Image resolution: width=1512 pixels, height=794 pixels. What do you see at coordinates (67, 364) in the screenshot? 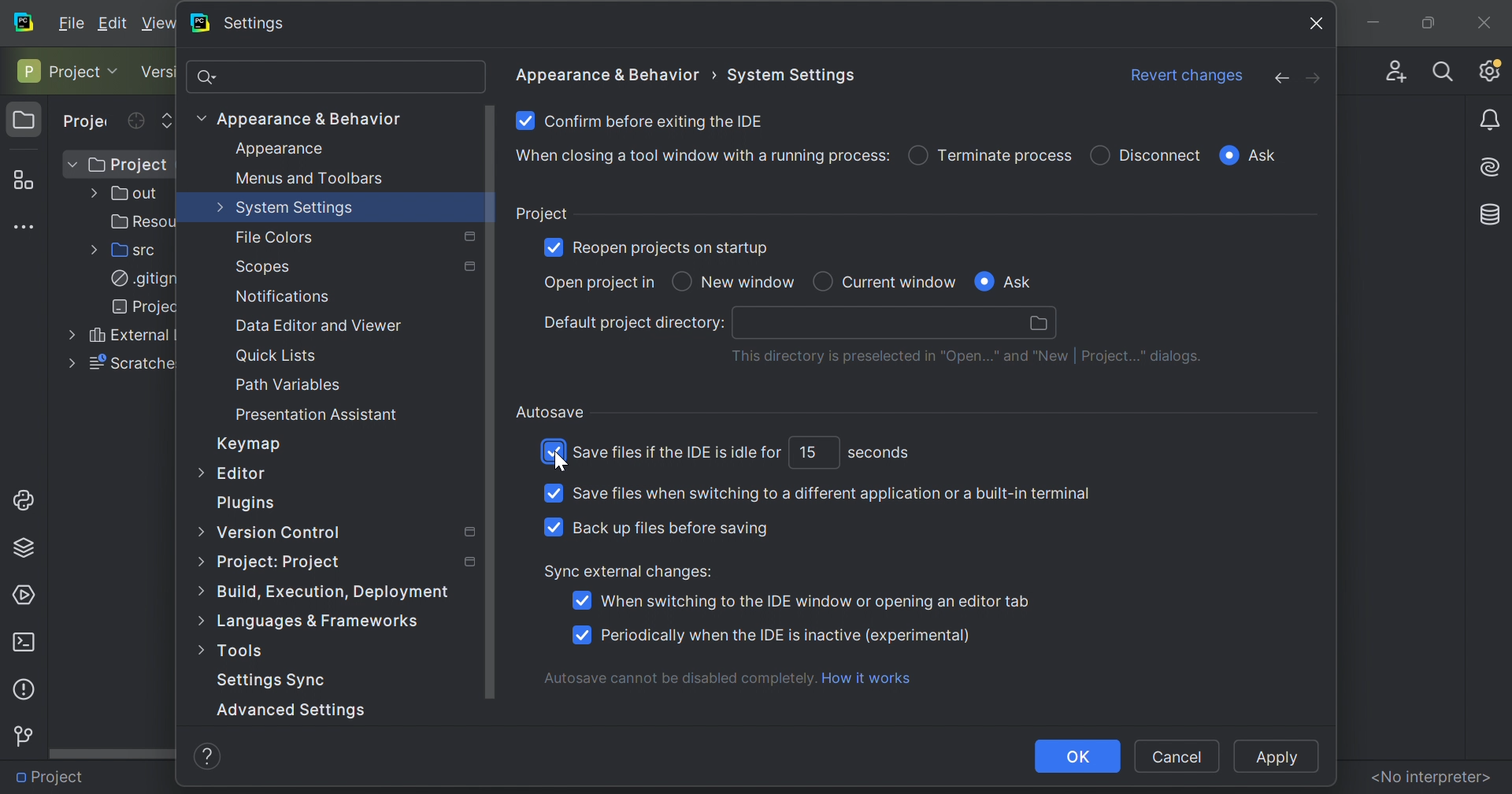
I see `More` at bounding box center [67, 364].